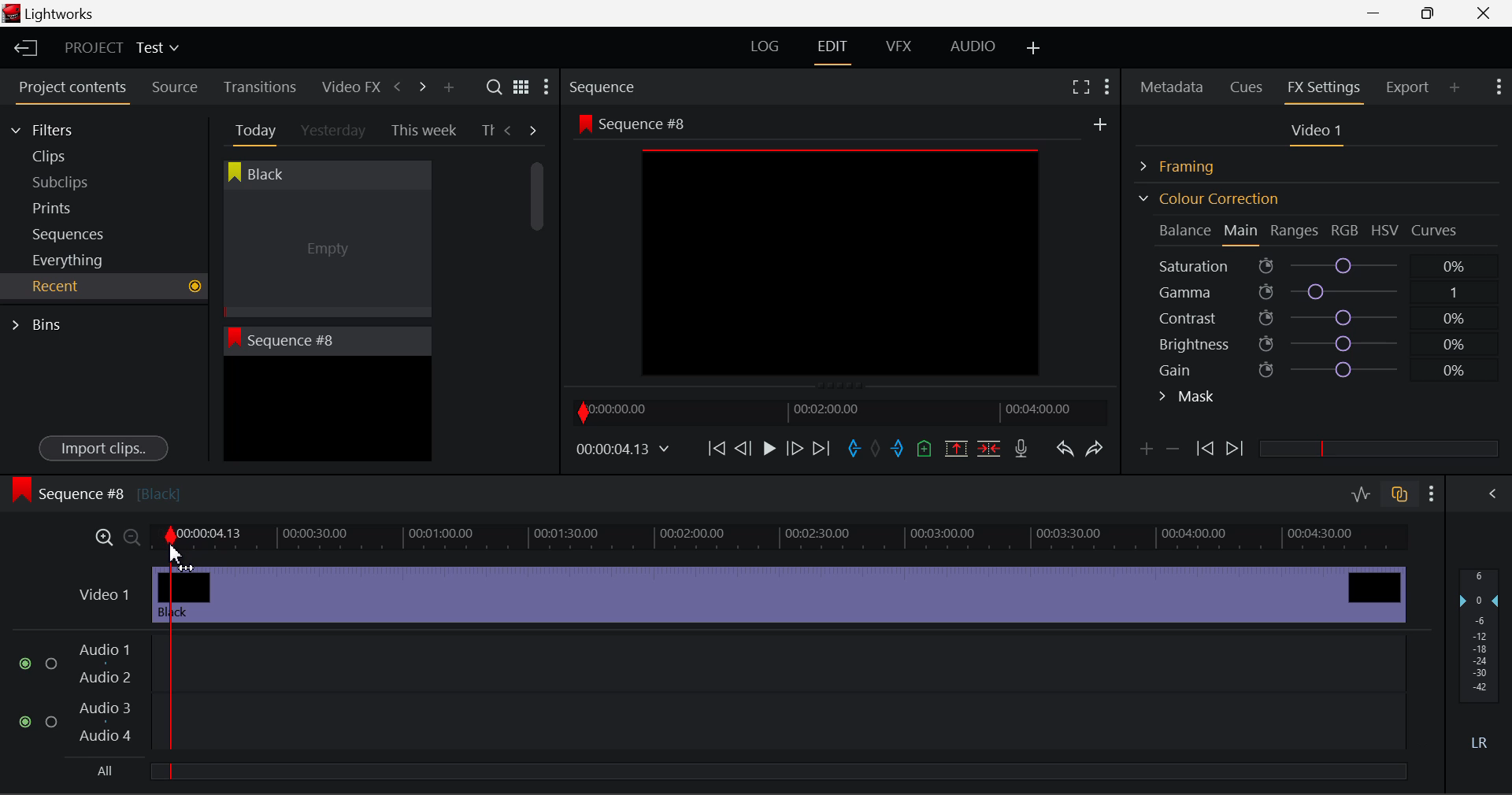 This screenshot has width=1512, height=795. What do you see at coordinates (838, 412) in the screenshot?
I see `Project Timeline Navigator` at bounding box center [838, 412].